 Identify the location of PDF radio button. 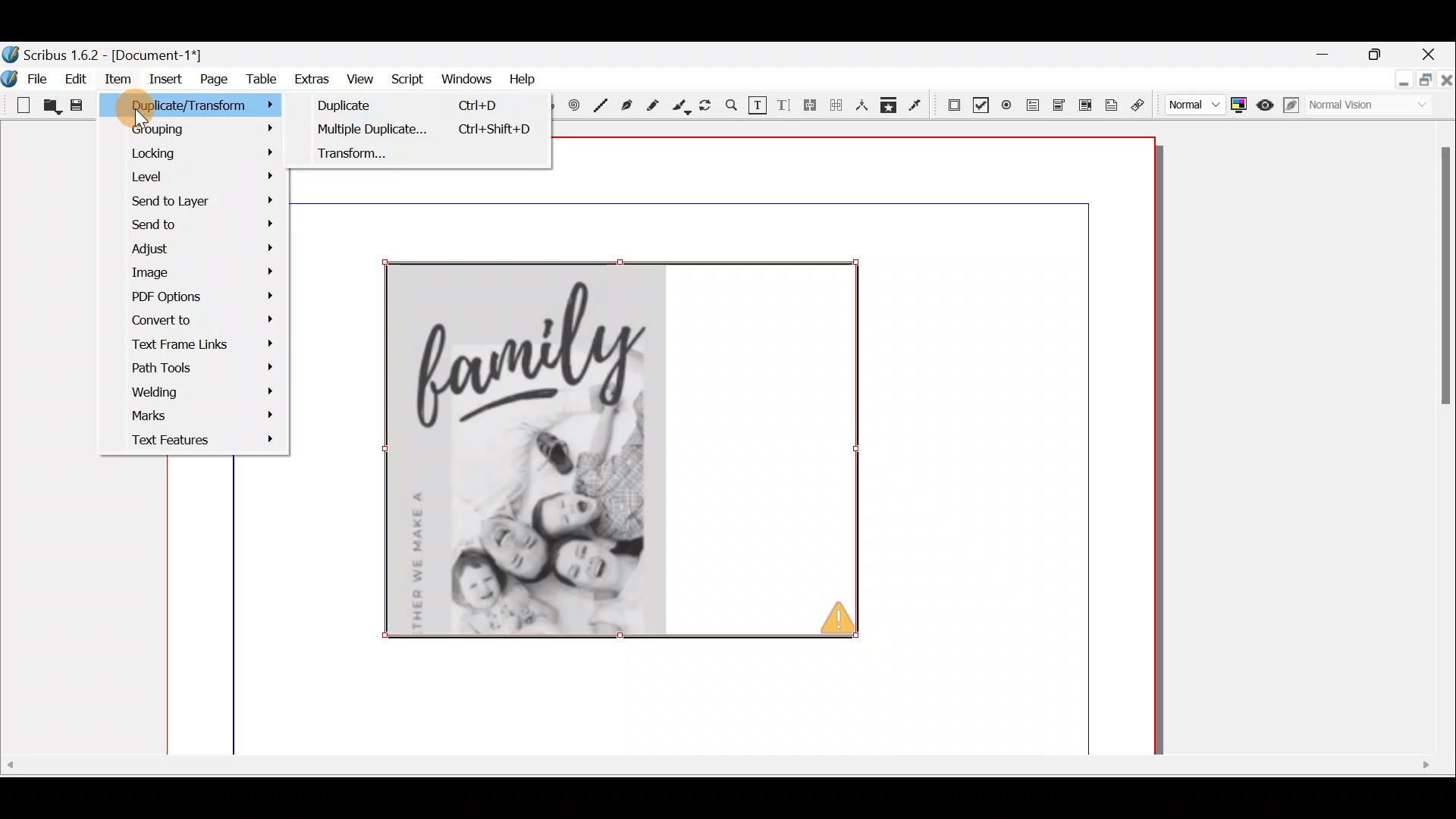
(1006, 104).